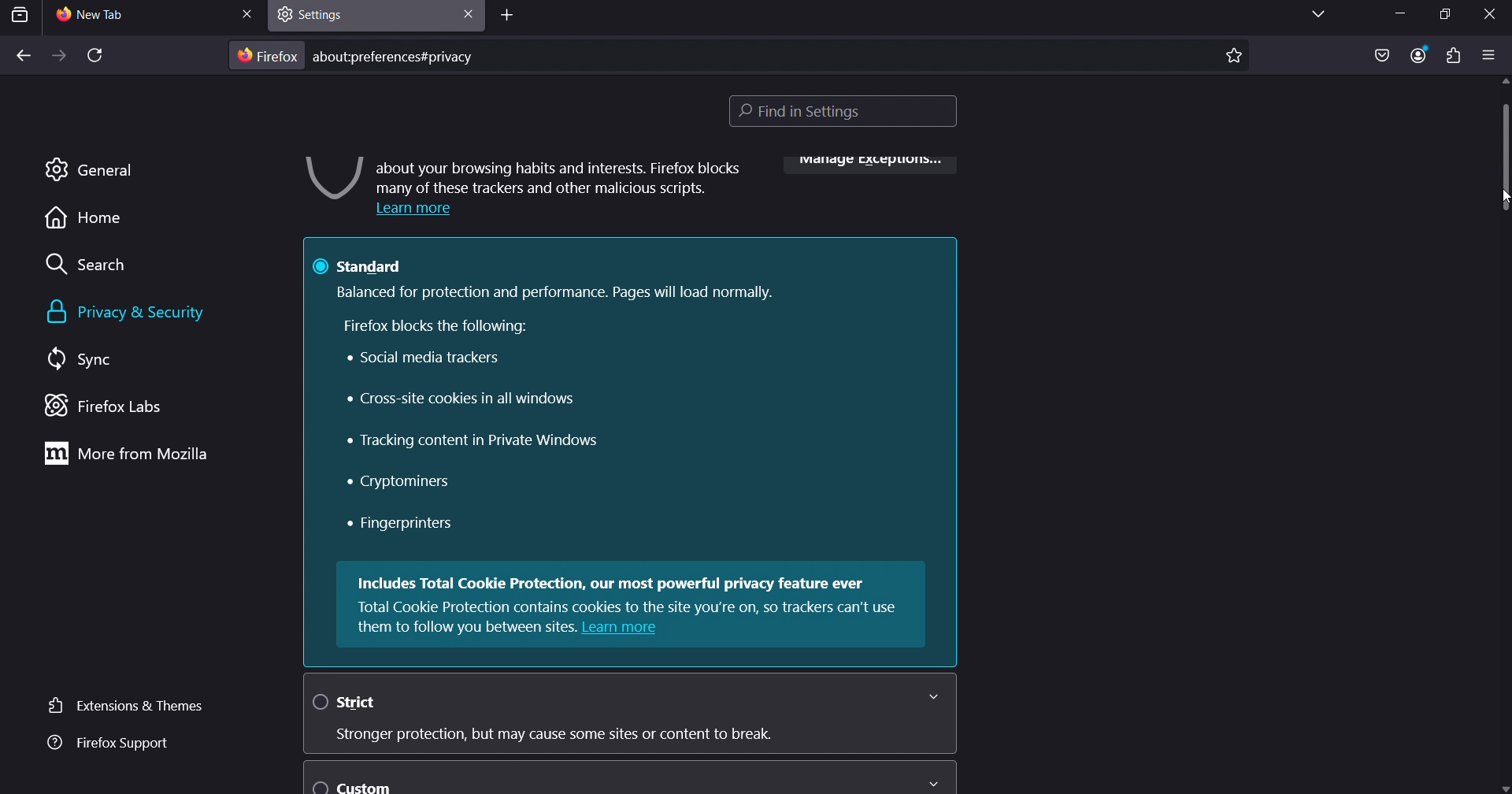 The image size is (1512, 794). Describe the element at coordinates (269, 54) in the screenshot. I see `firefox` at that location.